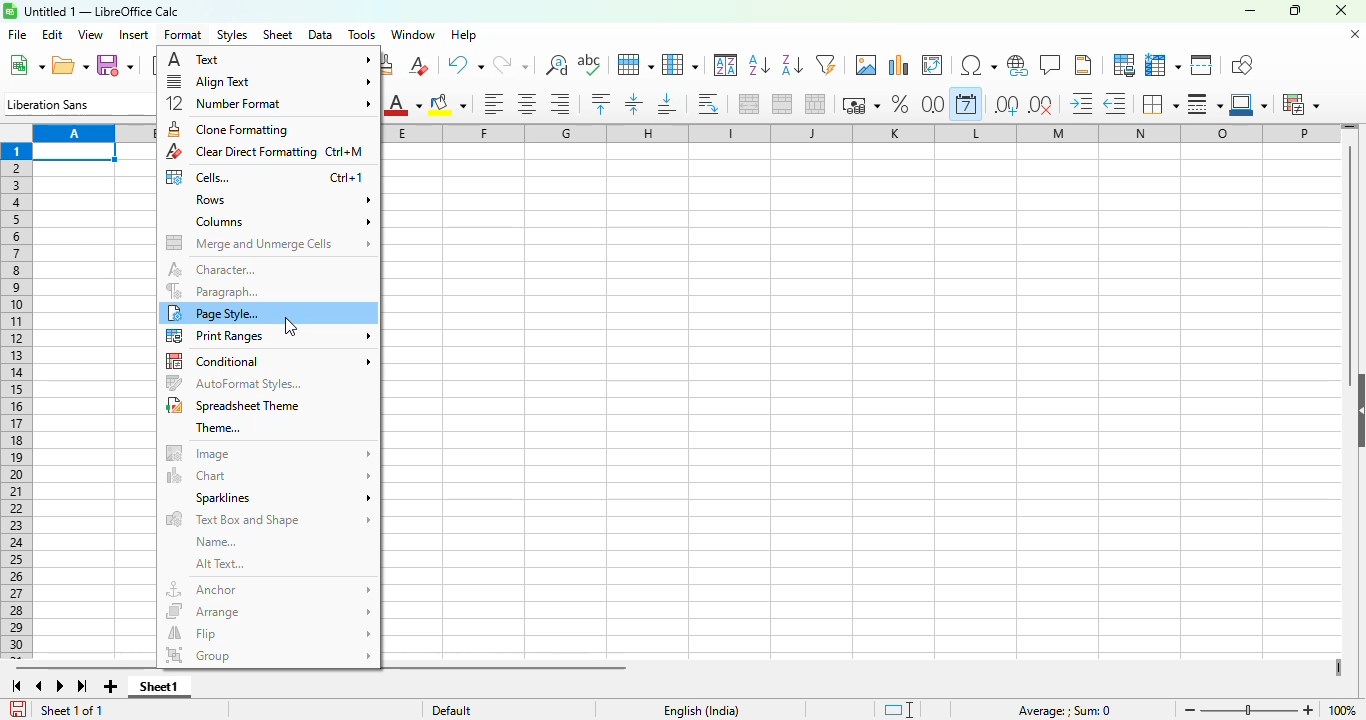 This screenshot has width=1366, height=720. Describe the element at coordinates (1163, 65) in the screenshot. I see `freeze rows and columns` at that location.